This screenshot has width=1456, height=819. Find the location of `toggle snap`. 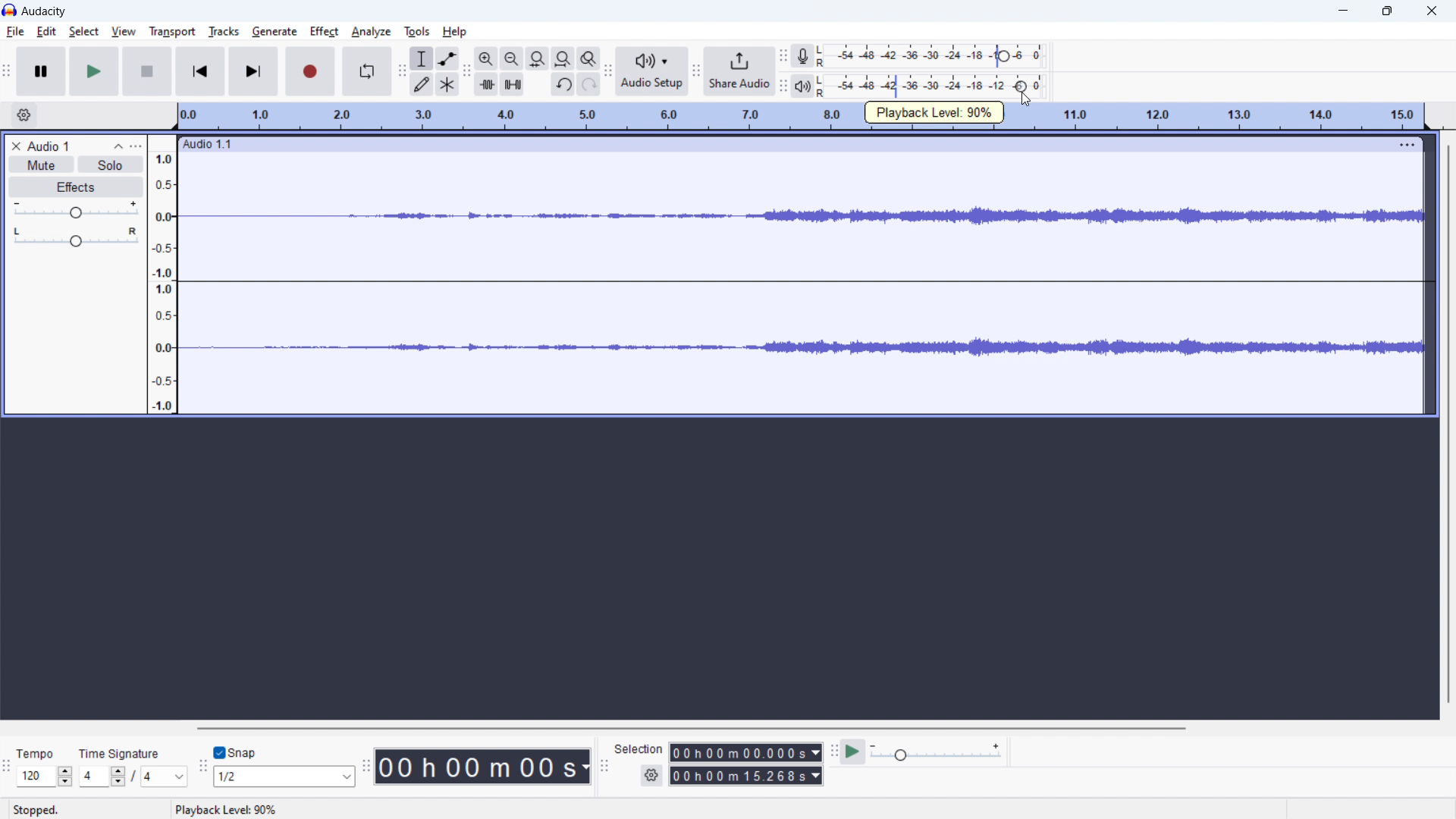

toggle snap is located at coordinates (236, 753).